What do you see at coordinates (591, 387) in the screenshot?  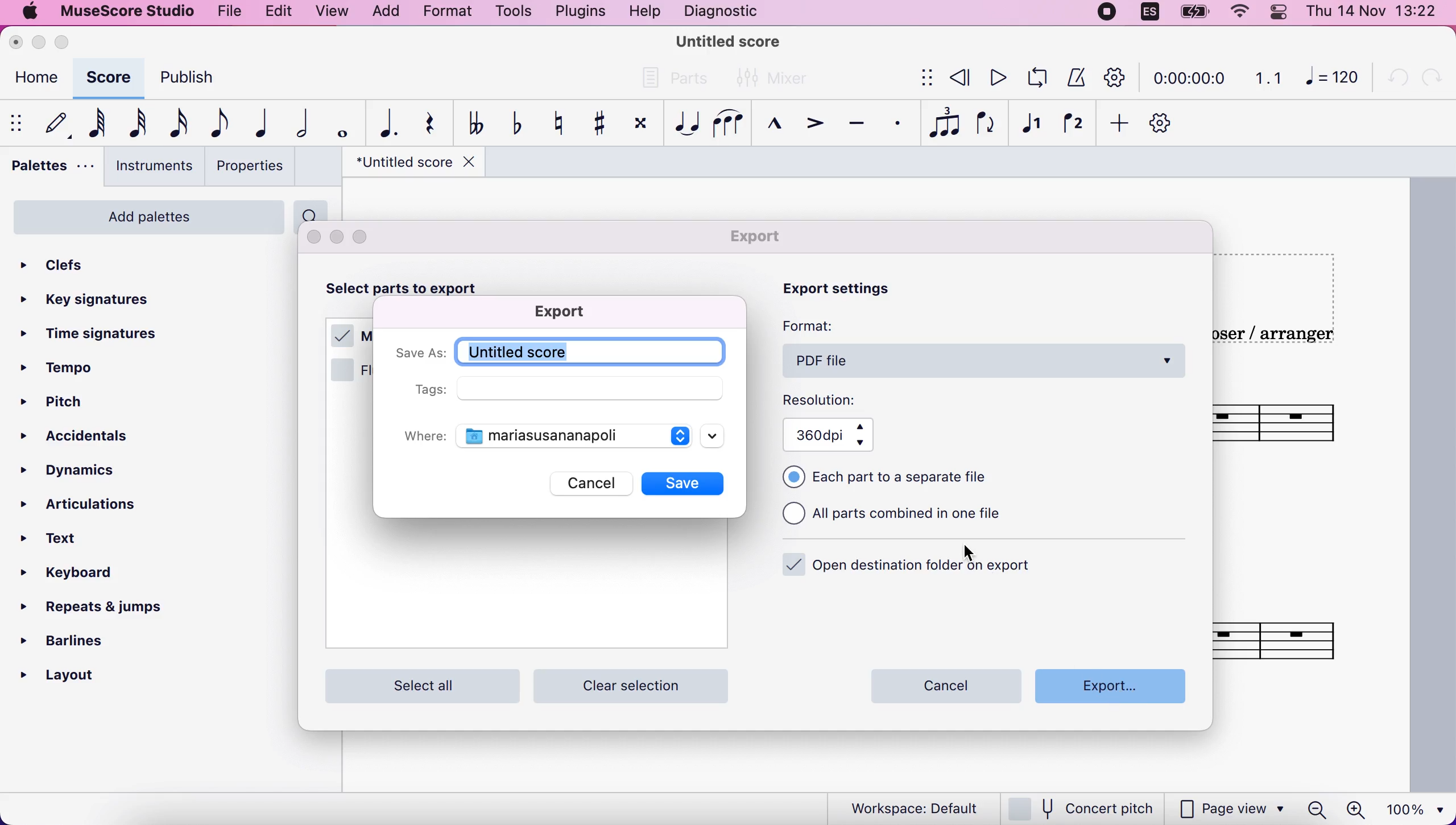 I see `empty field` at bounding box center [591, 387].